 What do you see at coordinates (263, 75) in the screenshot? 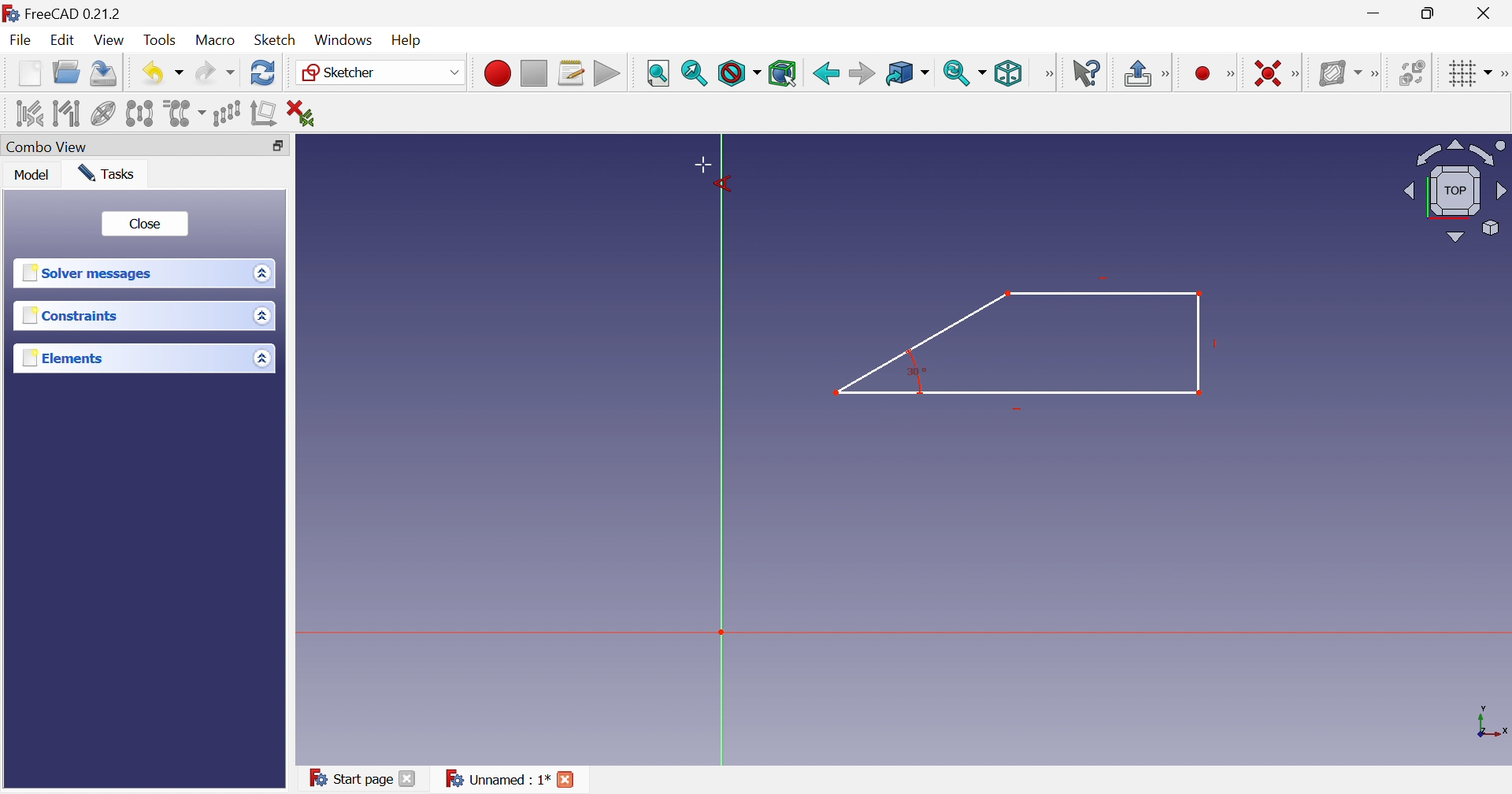
I see `Refresh` at bounding box center [263, 75].